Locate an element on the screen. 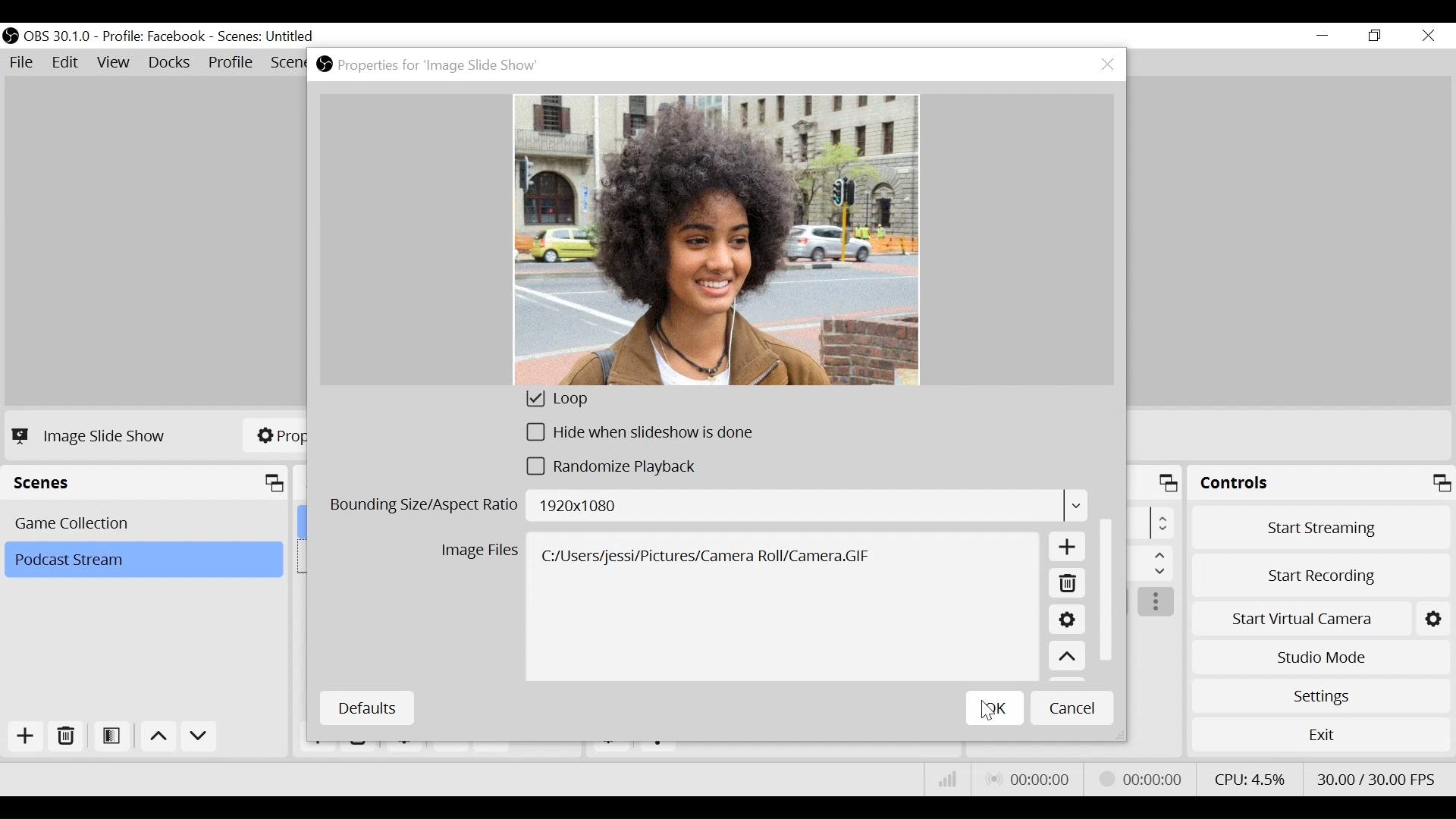 The height and width of the screenshot is (819, 1456). Controls is located at coordinates (1321, 485).